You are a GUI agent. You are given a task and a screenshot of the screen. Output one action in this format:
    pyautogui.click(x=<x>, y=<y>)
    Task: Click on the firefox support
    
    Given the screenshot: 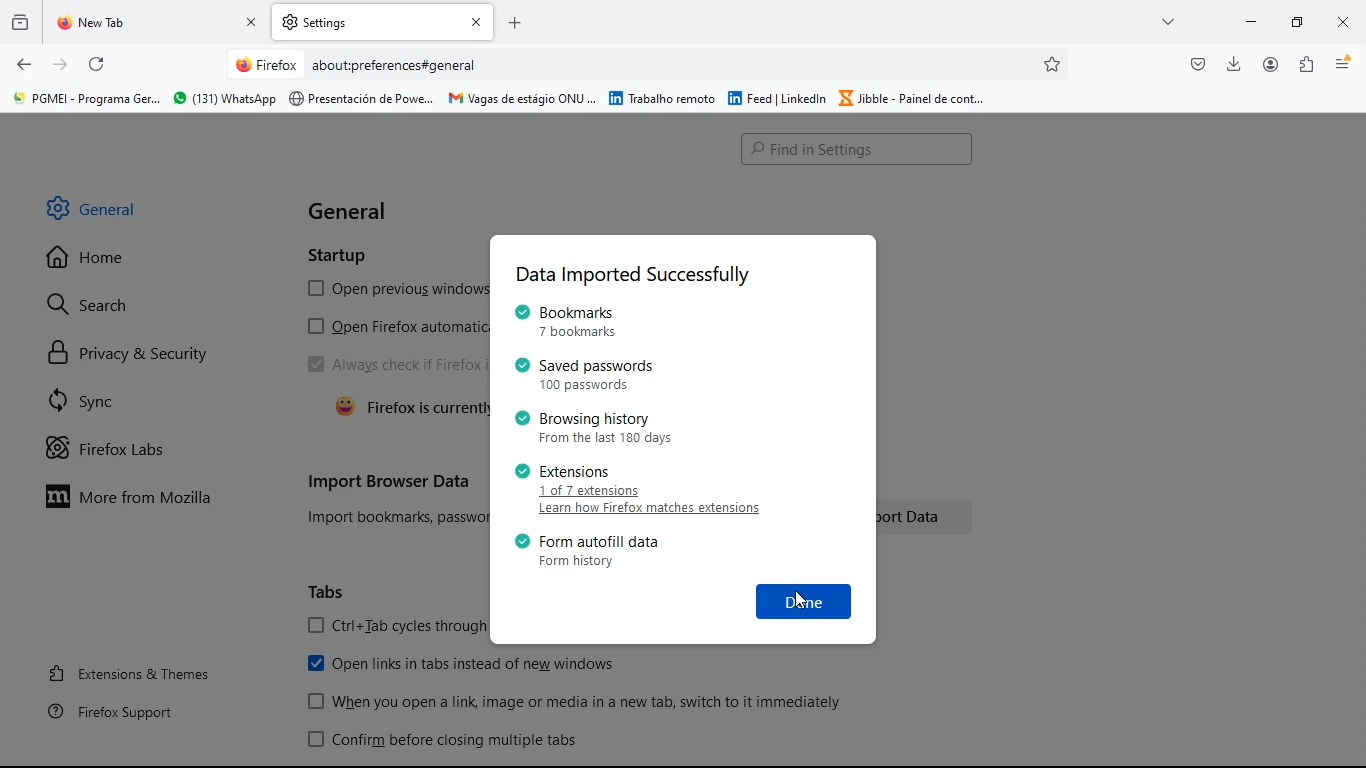 What is the action you would take?
    pyautogui.click(x=122, y=711)
    